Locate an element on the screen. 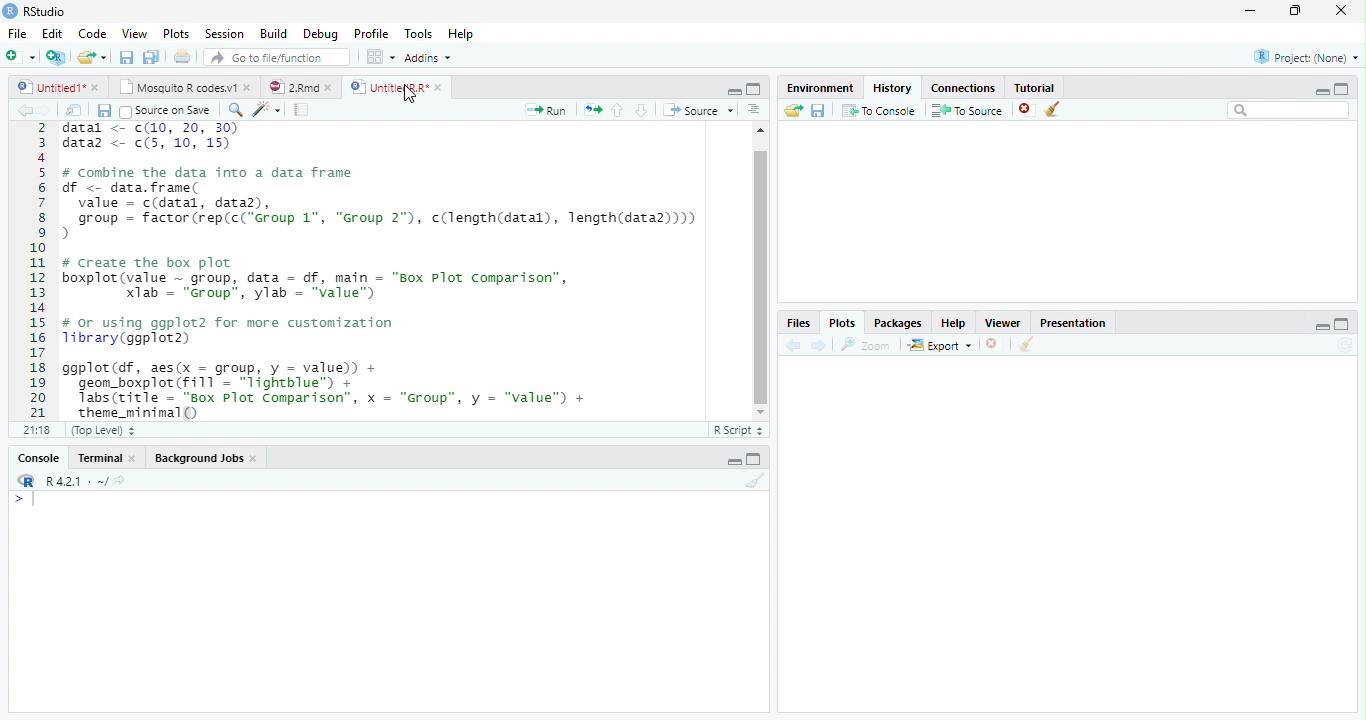  Minimize is located at coordinates (1321, 326).